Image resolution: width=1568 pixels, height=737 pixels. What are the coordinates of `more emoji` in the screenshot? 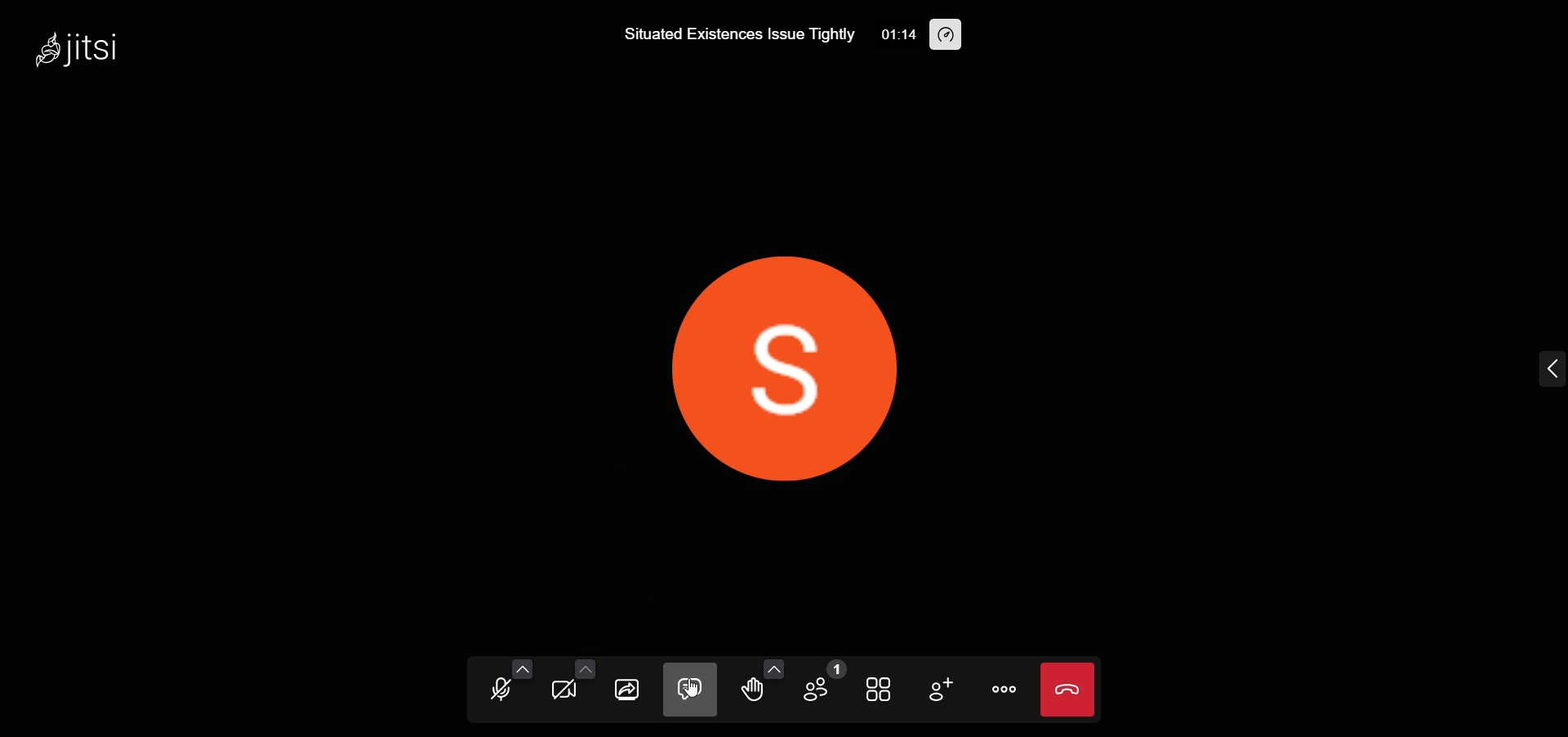 It's located at (773, 667).